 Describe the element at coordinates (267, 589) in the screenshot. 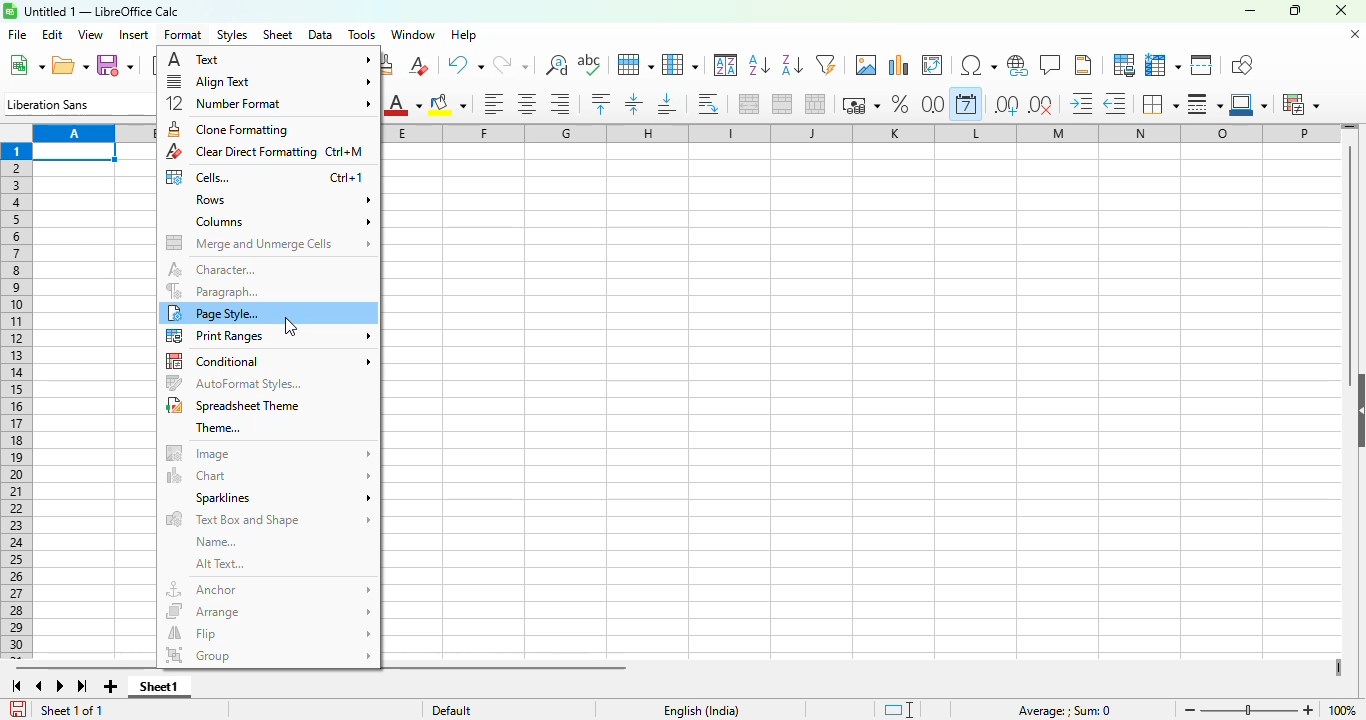

I see `anchor` at that location.